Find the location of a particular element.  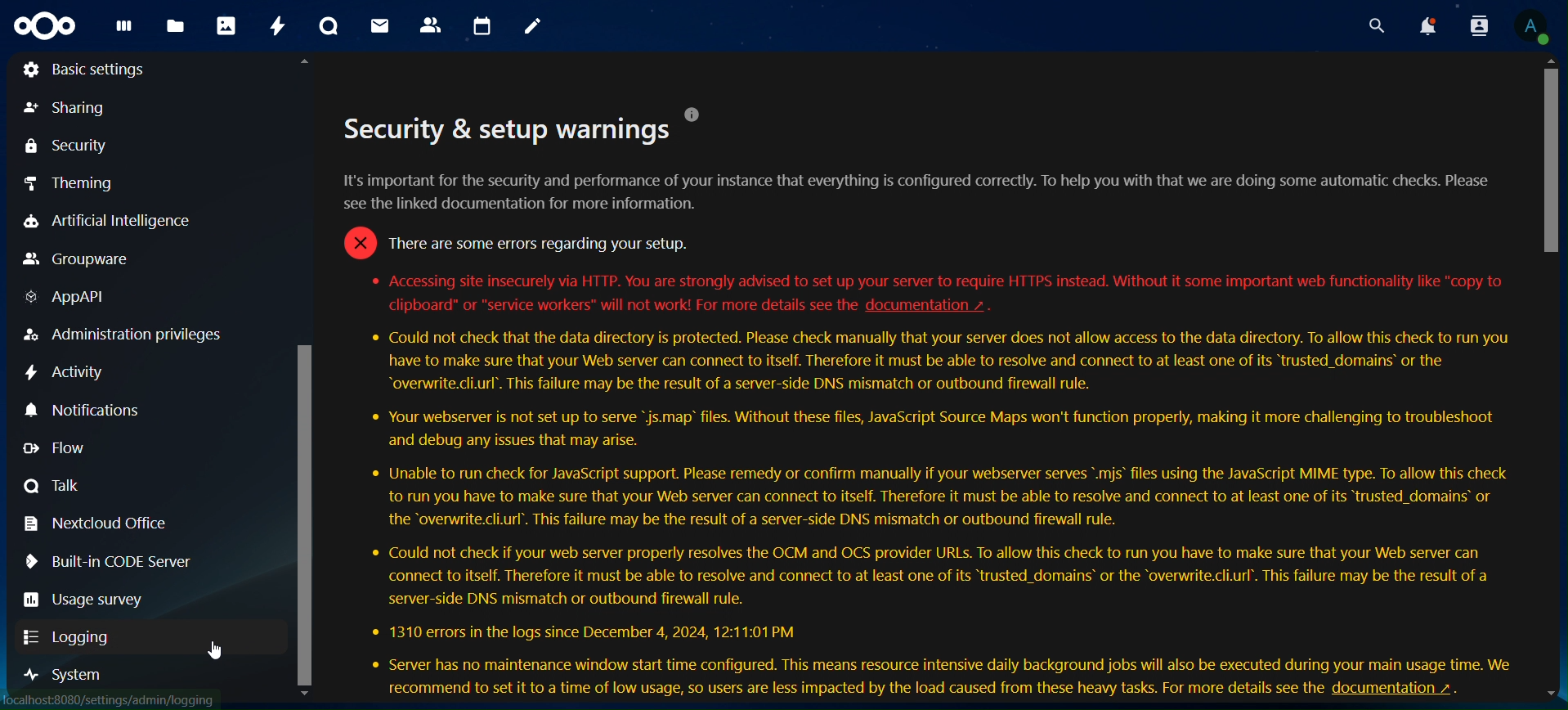

activity is located at coordinates (278, 28).